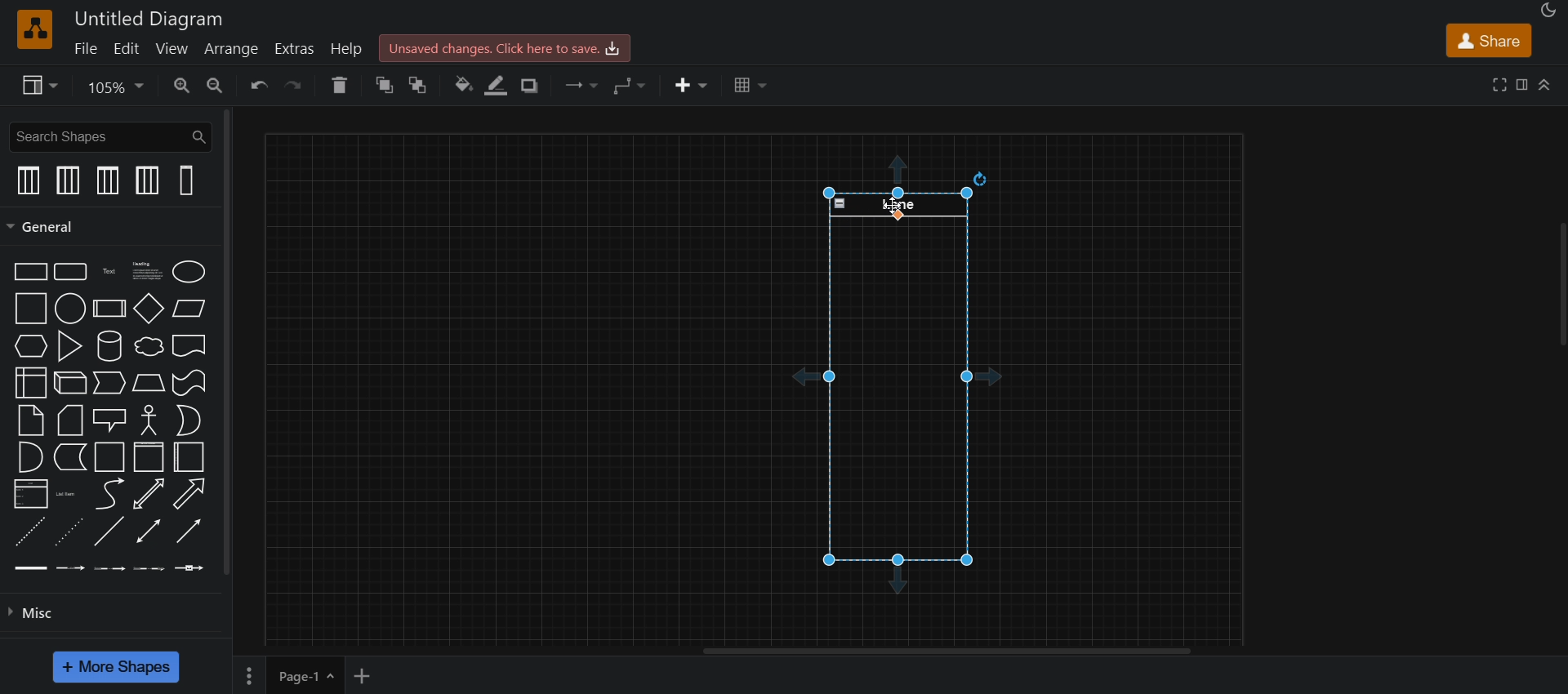  Describe the element at coordinates (189, 421) in the screenshot. I see `or` at that location.